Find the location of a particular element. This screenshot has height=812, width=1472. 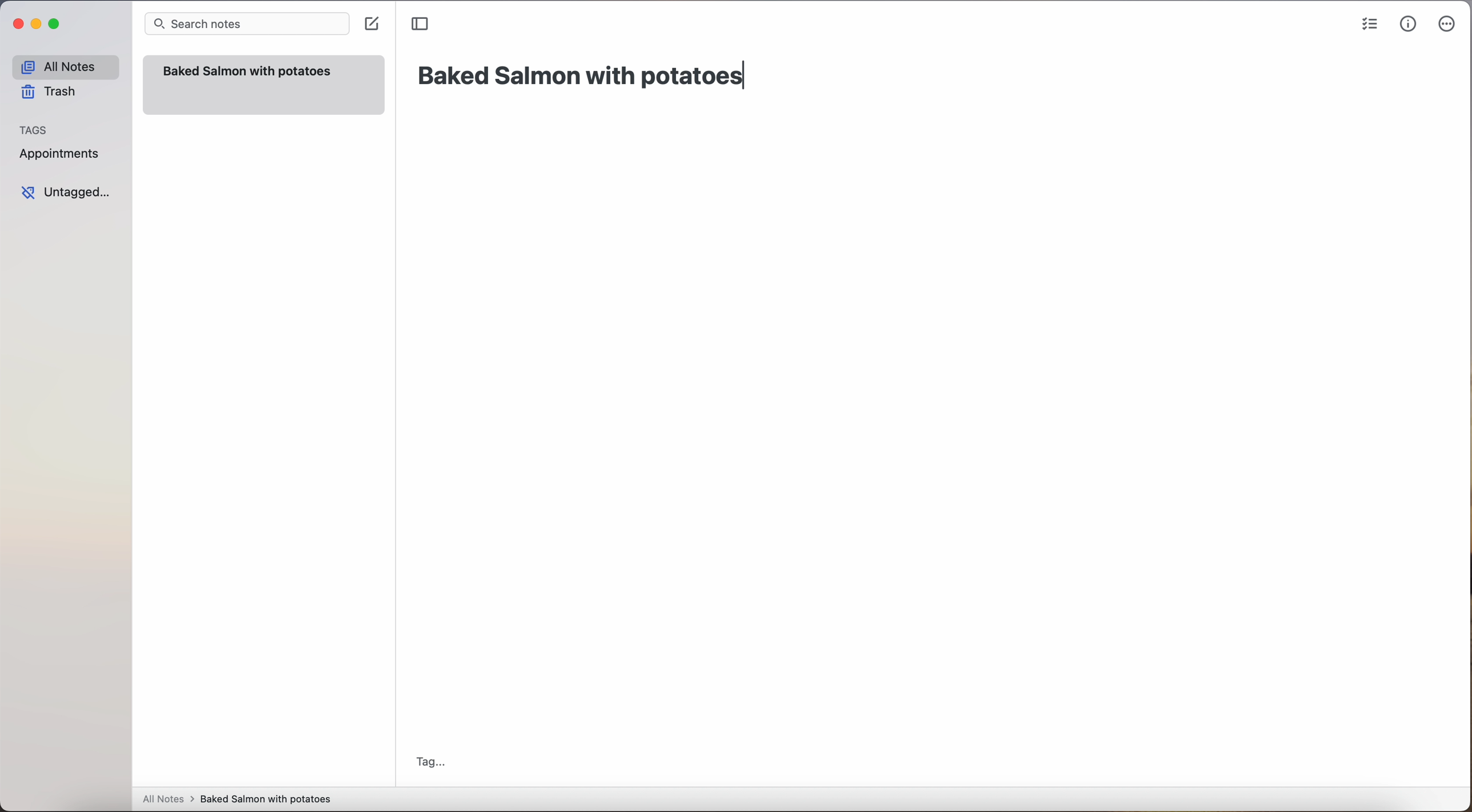

untagged is located at coordinates (67, 192).